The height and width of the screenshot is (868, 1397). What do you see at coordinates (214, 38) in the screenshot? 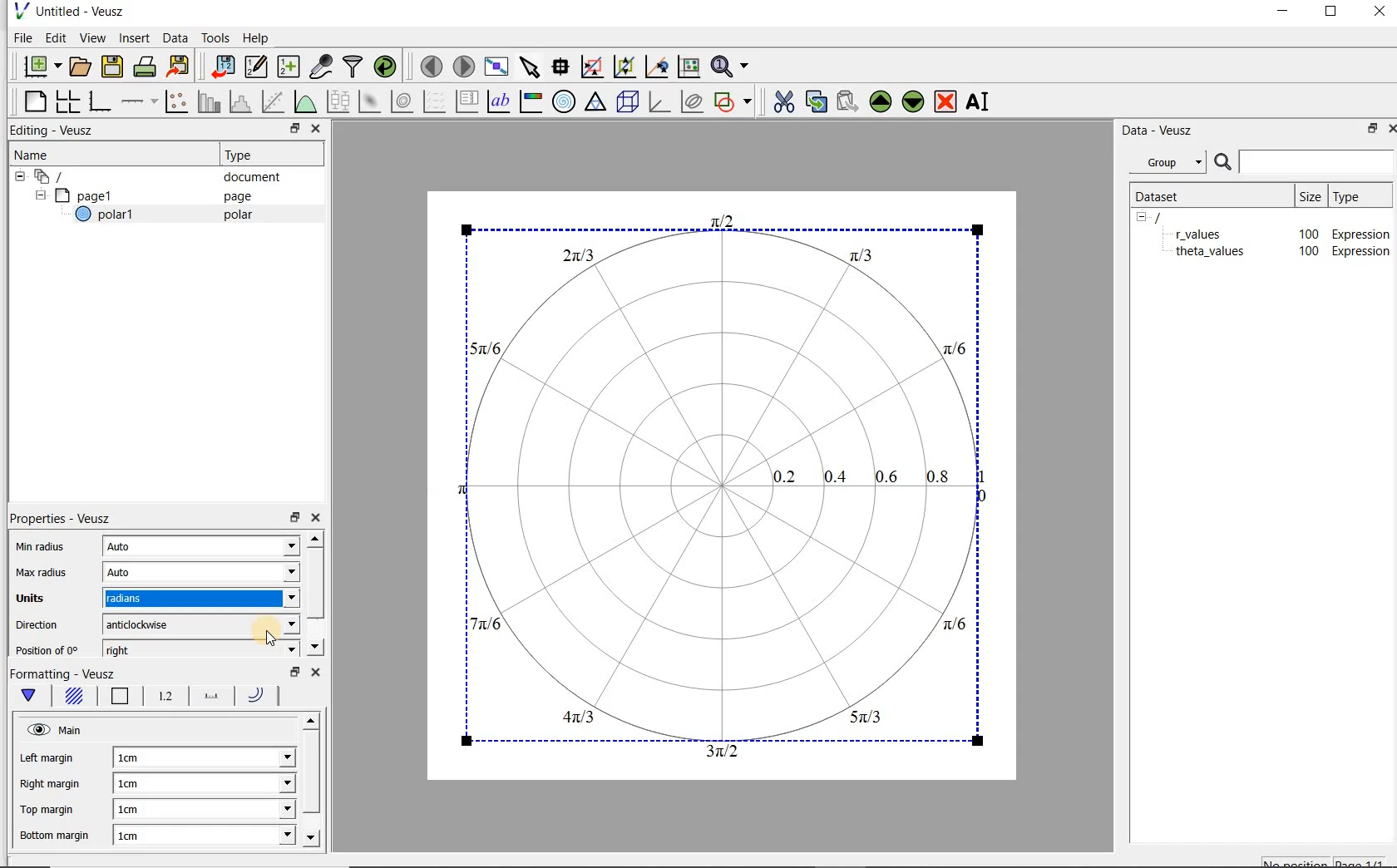
I see `Tools` at bounding box center [214, 38].